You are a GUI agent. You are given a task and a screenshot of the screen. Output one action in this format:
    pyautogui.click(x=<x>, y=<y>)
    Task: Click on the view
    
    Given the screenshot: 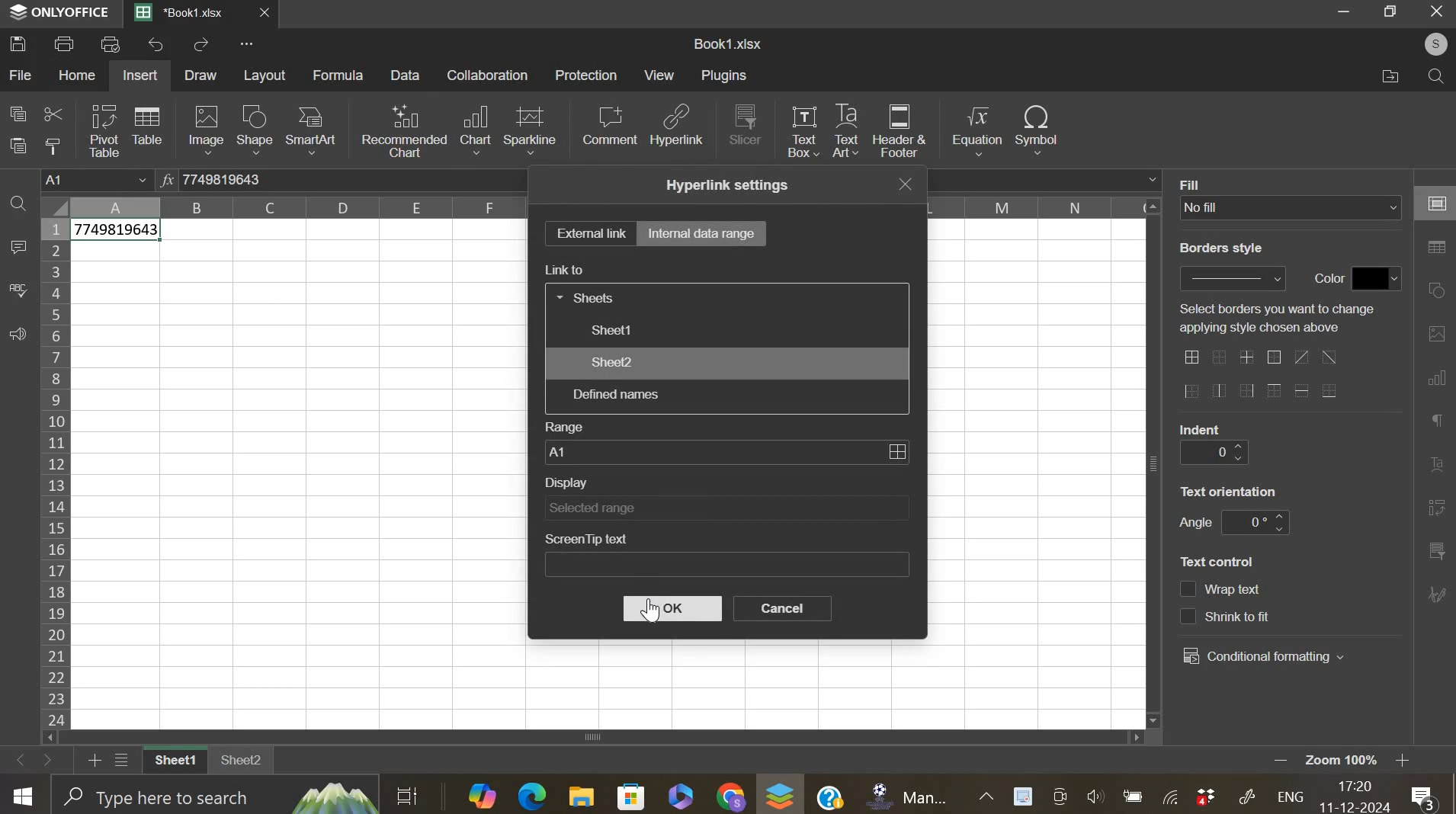 What is the action you would take?
    pyautogui.click(x=660, y=75)
    